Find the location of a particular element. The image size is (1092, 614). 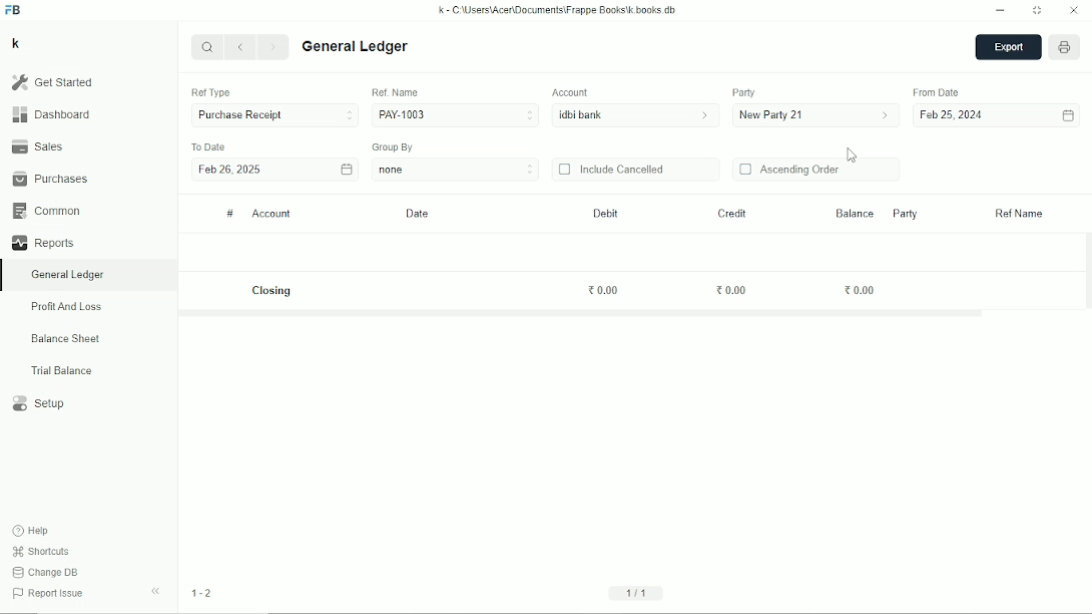

Calendar is located at coordinates (1068, 116).